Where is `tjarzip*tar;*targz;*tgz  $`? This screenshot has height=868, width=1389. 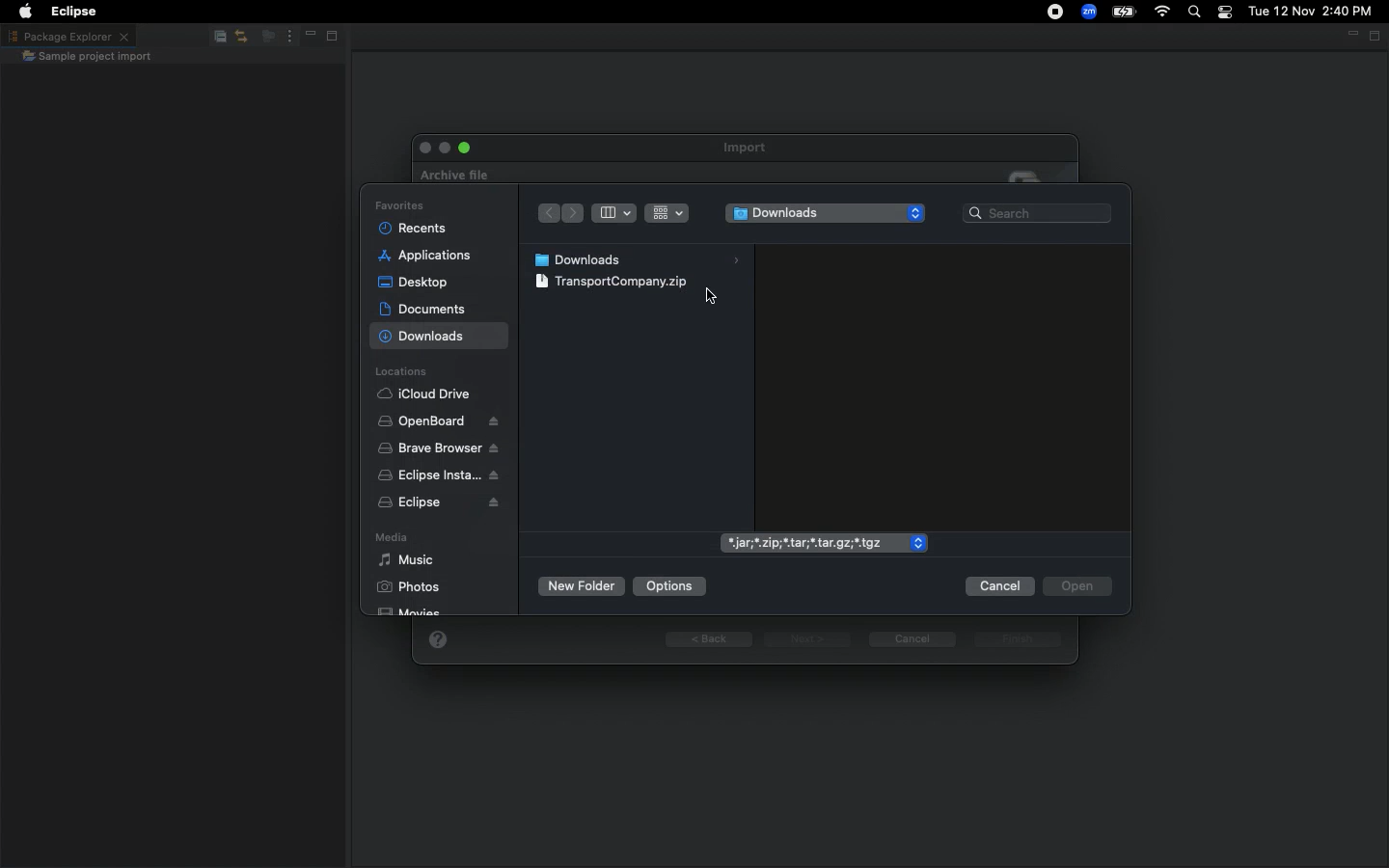 tjarzip*tar;*targz;*tgz  $ is located at coordinates (818, 539).